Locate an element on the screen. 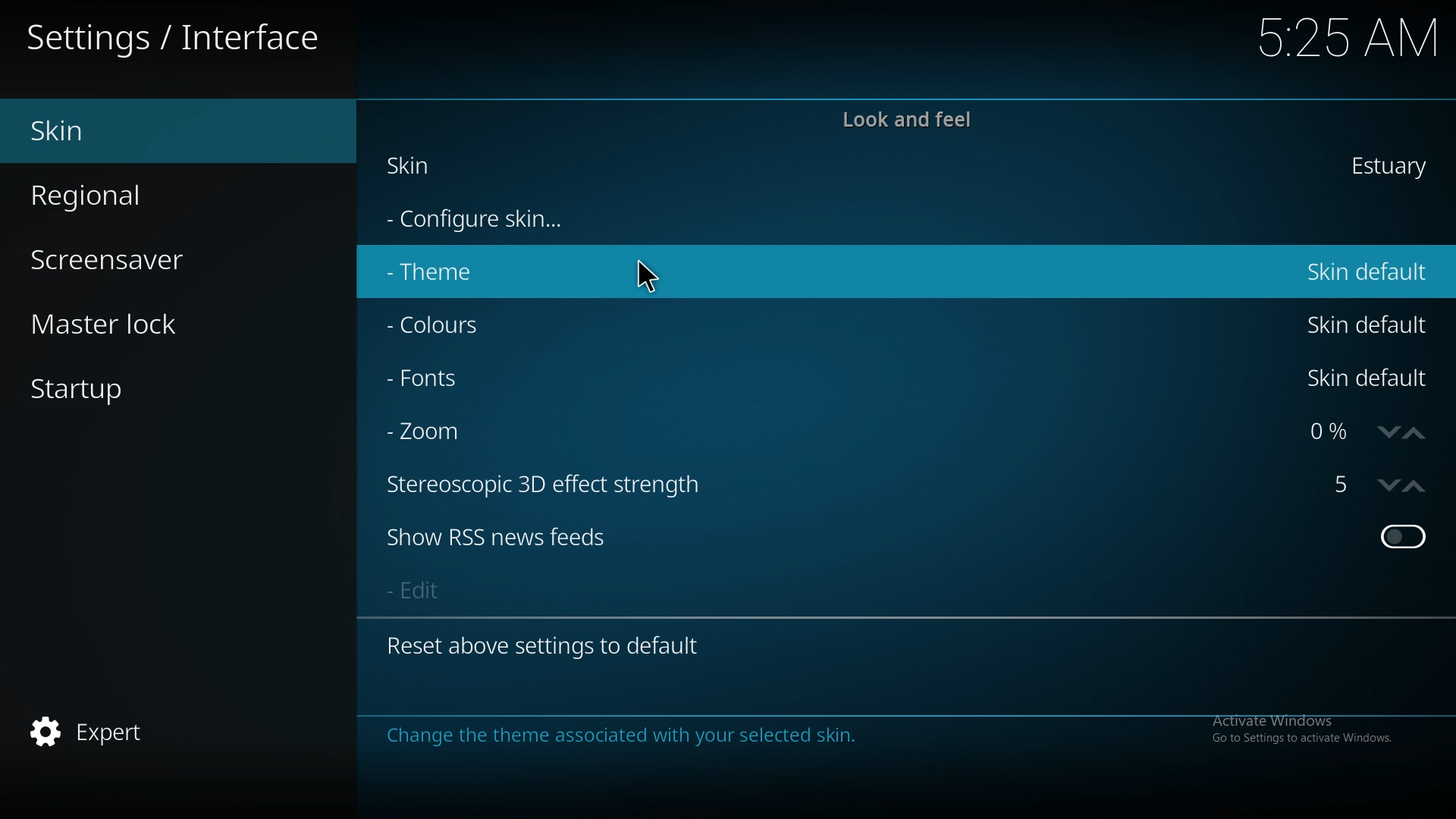  expert is located at coordinates (121, 733).